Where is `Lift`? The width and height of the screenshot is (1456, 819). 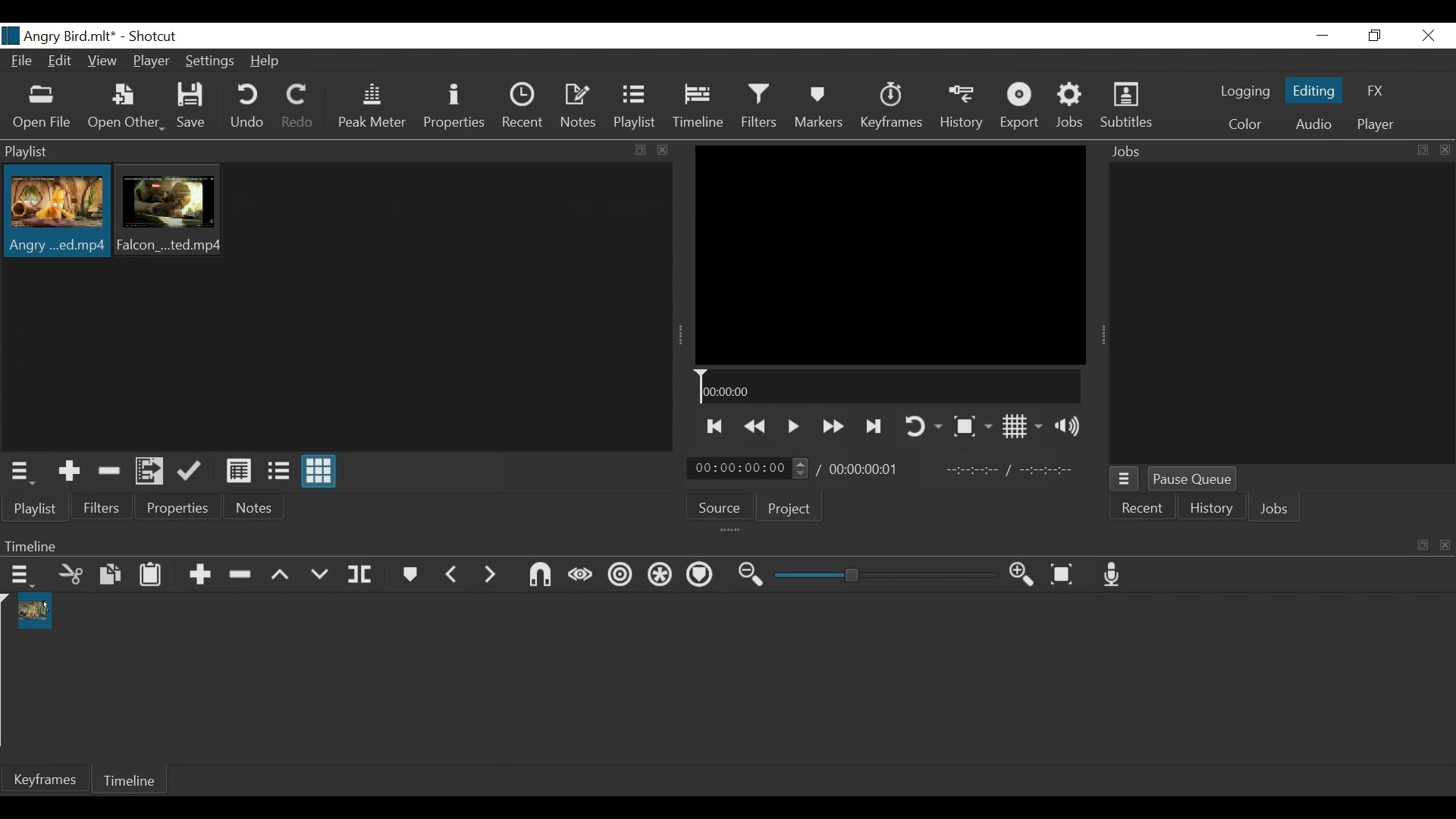
Lift is located at coordinates (284, 575).